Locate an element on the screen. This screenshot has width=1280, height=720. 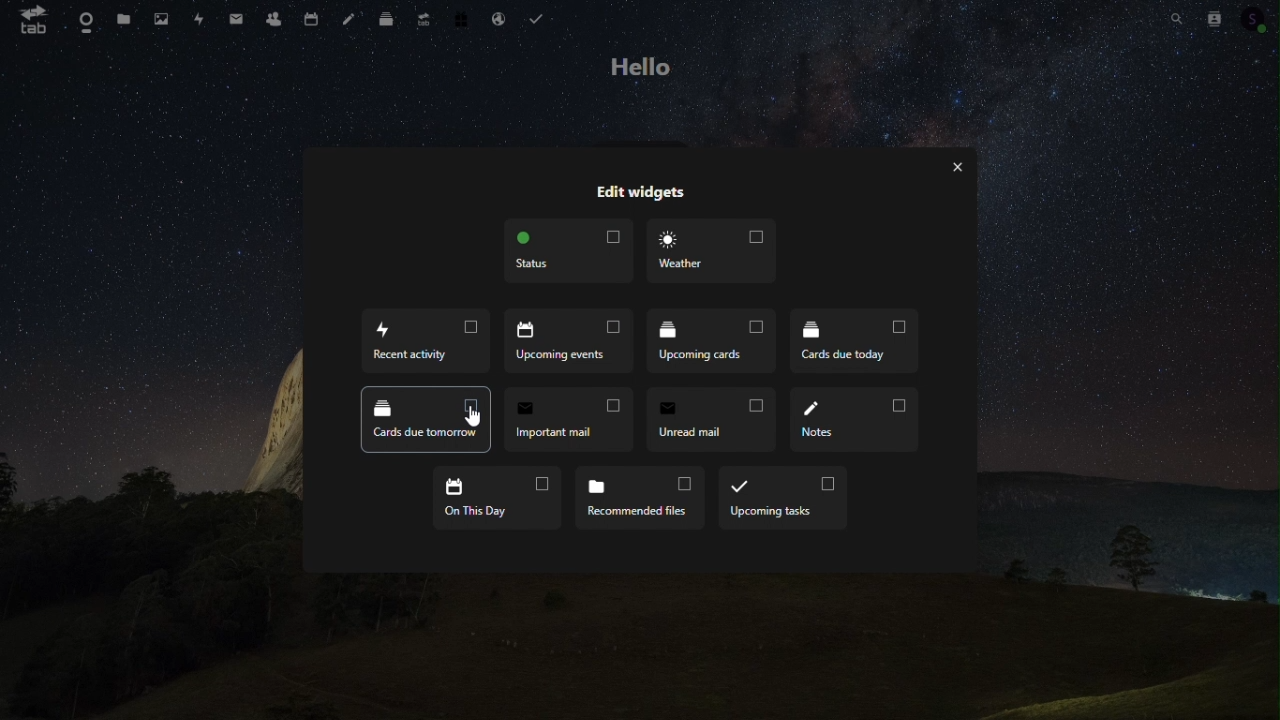
Activity is located at coordinates (197, 18).